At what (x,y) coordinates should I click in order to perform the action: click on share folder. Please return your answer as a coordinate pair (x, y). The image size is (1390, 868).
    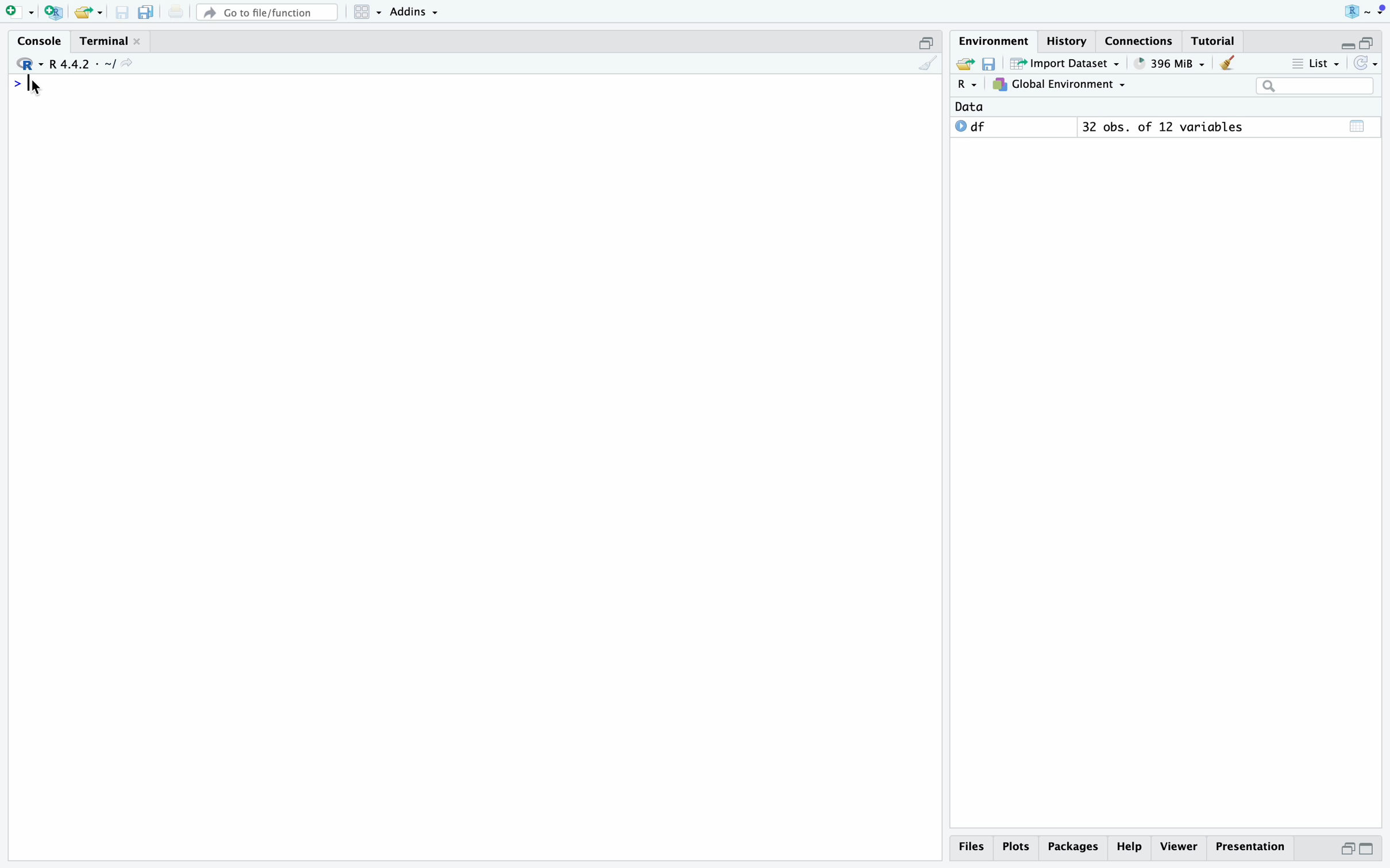
    Looking at the image, I should click on (966, 64).